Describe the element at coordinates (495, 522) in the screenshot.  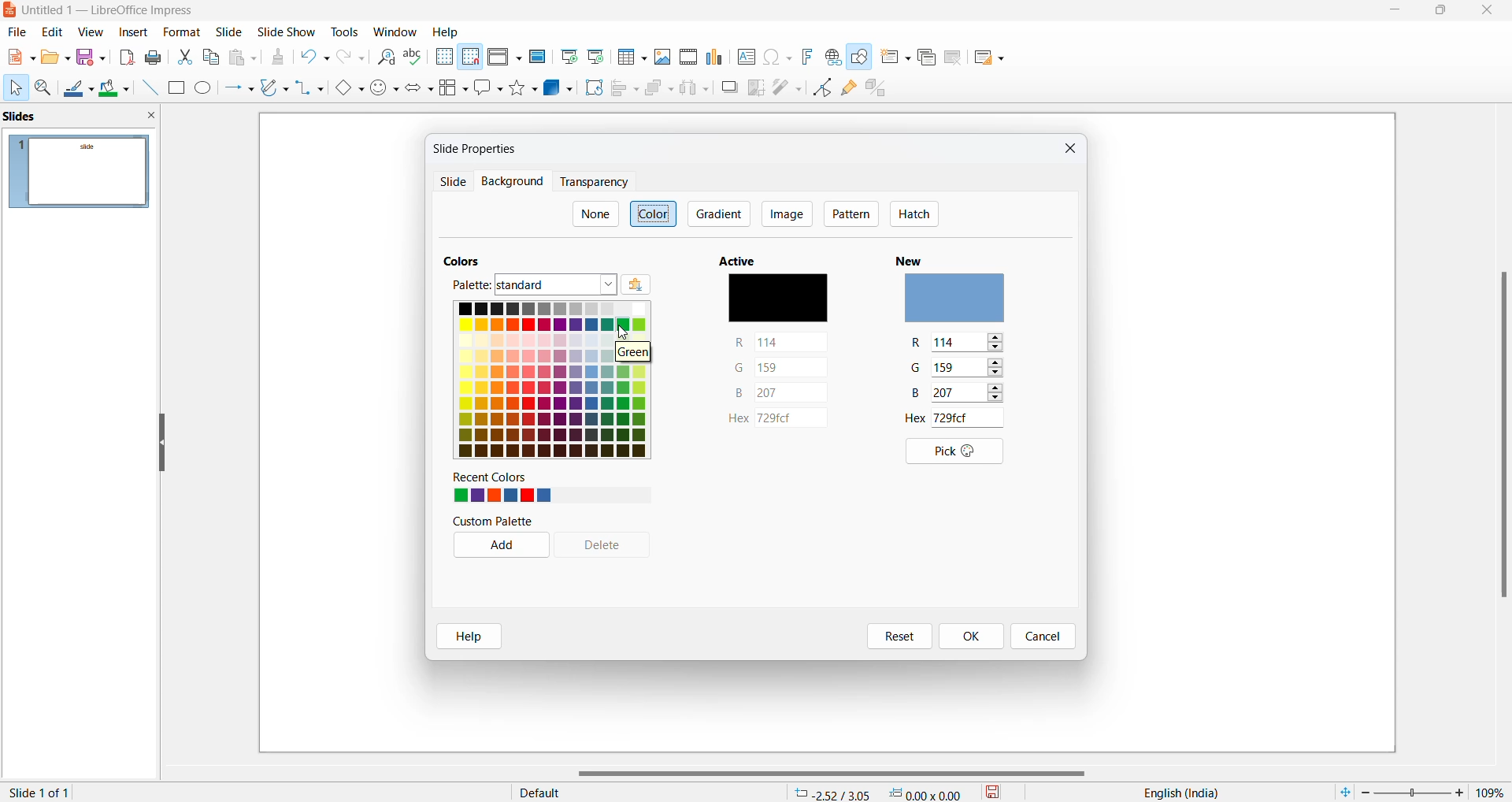
I see `custom palette heading` at that location.